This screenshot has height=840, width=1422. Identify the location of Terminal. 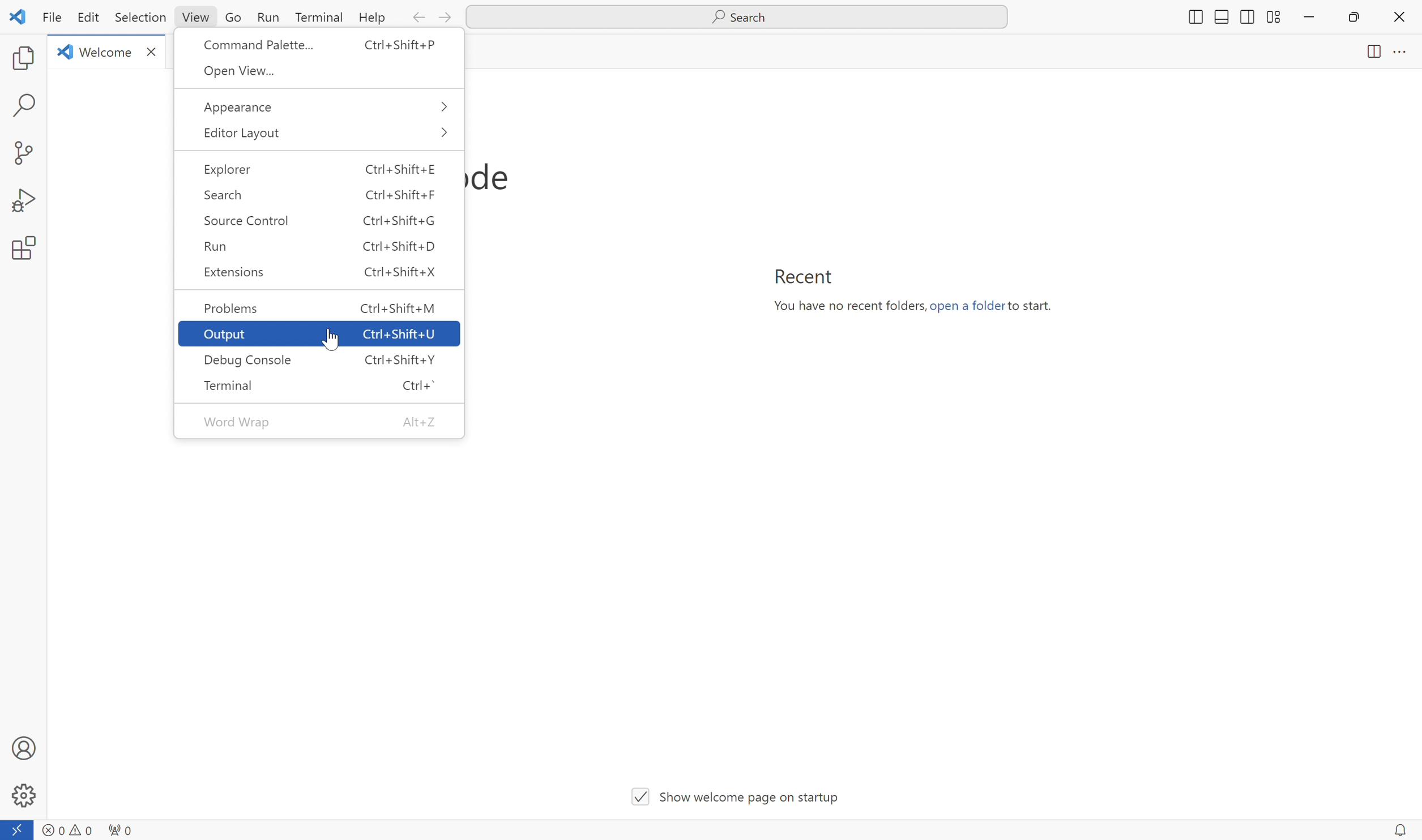
(318, 19).